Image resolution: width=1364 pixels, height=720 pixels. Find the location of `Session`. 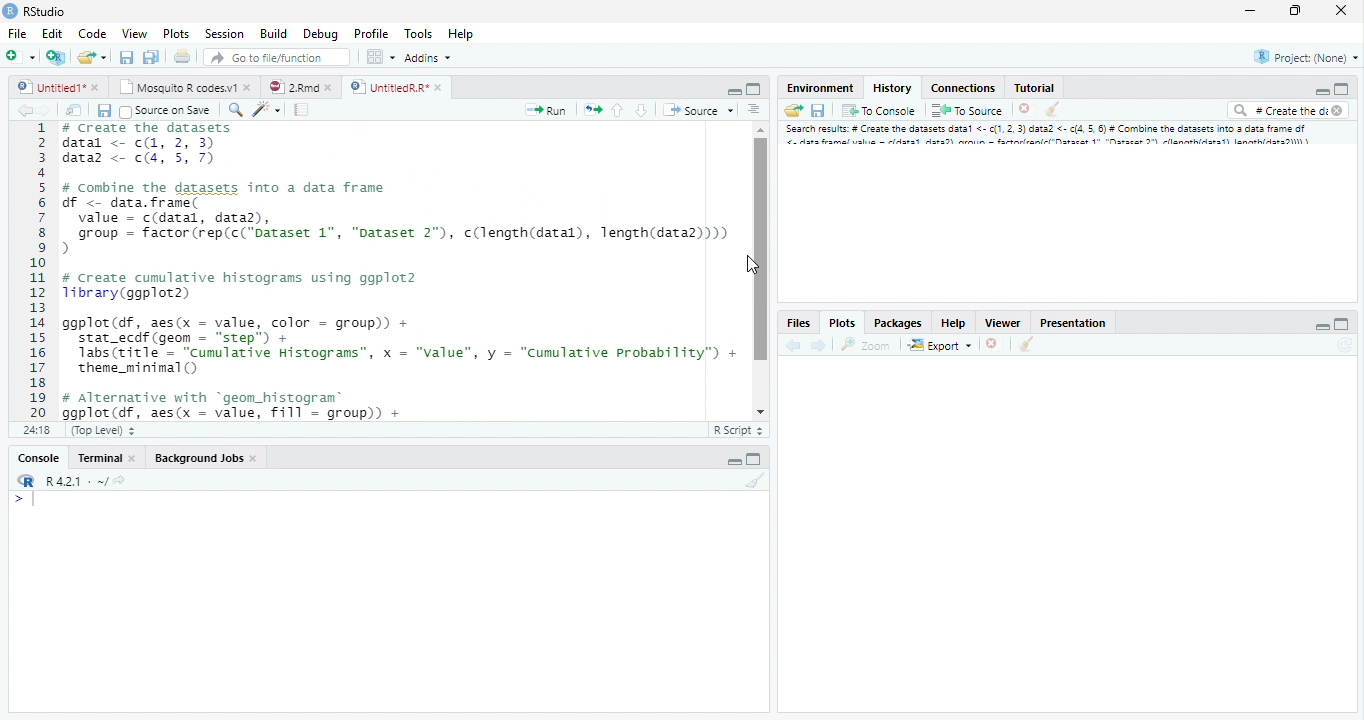

Session is located at coordinates (227, 34).